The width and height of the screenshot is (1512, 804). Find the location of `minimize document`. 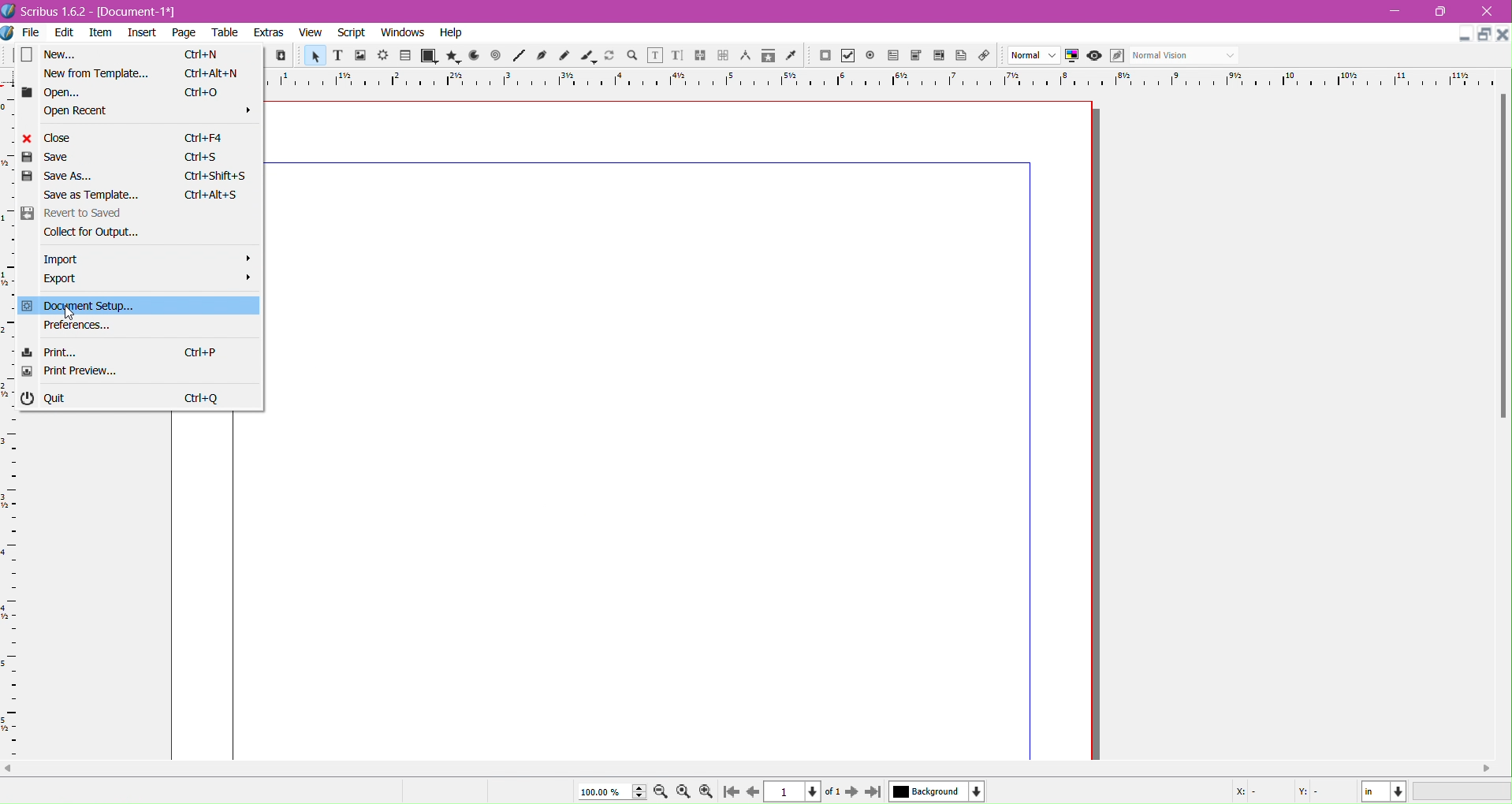

minimize document is located at coordinates (1460, 37).